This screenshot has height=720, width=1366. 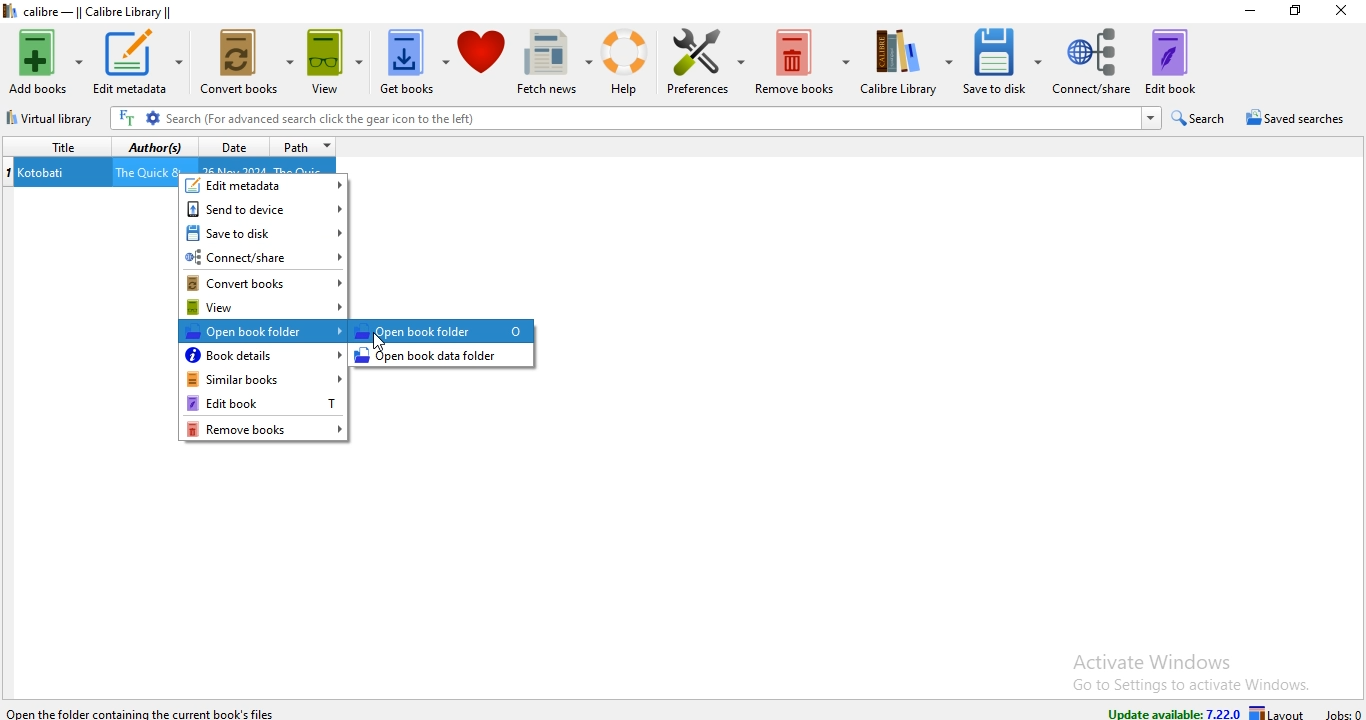 What do you see at coordinates (265, 207) in the screenshot?
I see `send to device` at bounding box center [265, 207].